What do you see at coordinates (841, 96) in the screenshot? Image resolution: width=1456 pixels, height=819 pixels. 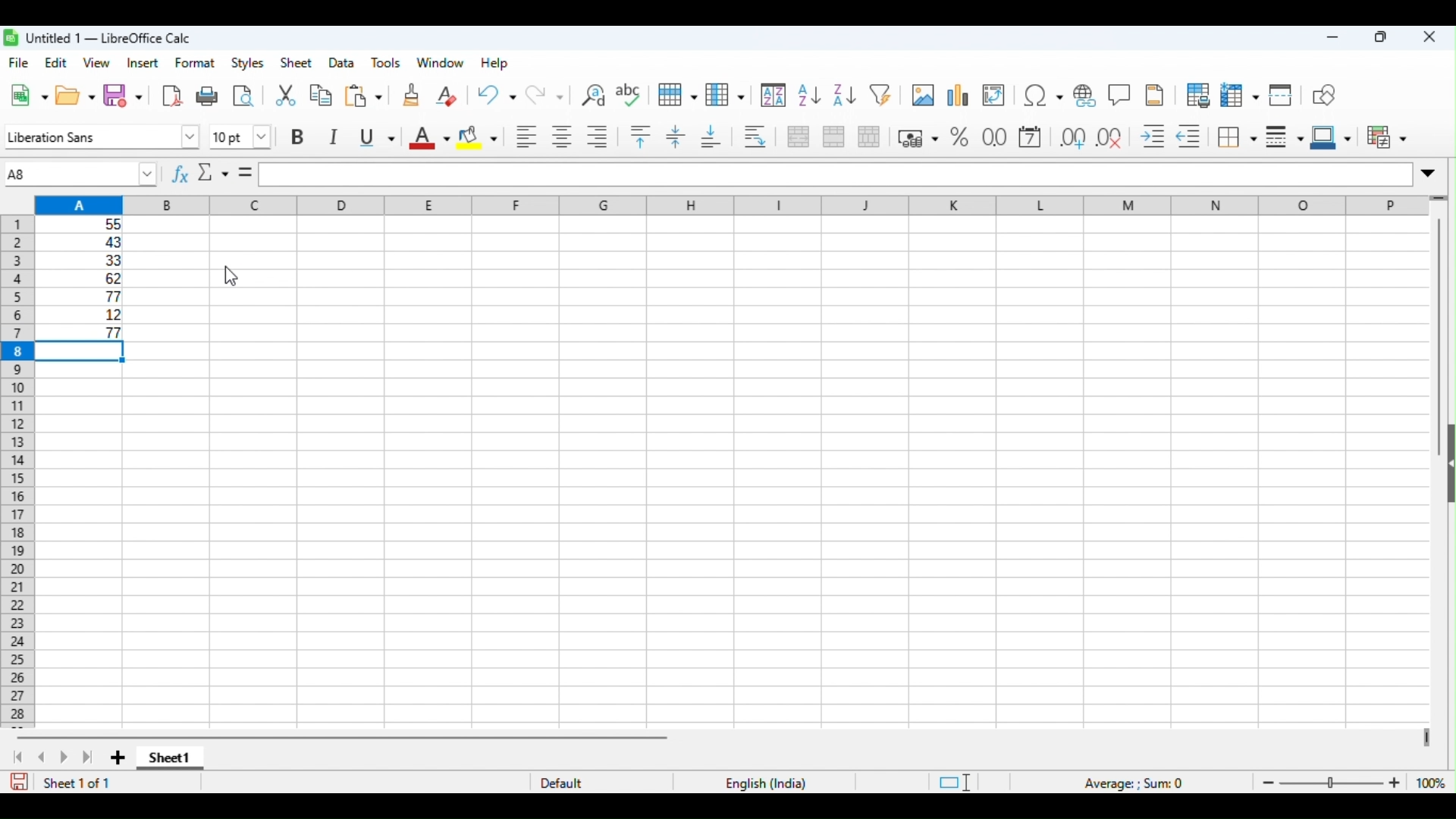 I see `sort descending` at bounding box center [841, 96].